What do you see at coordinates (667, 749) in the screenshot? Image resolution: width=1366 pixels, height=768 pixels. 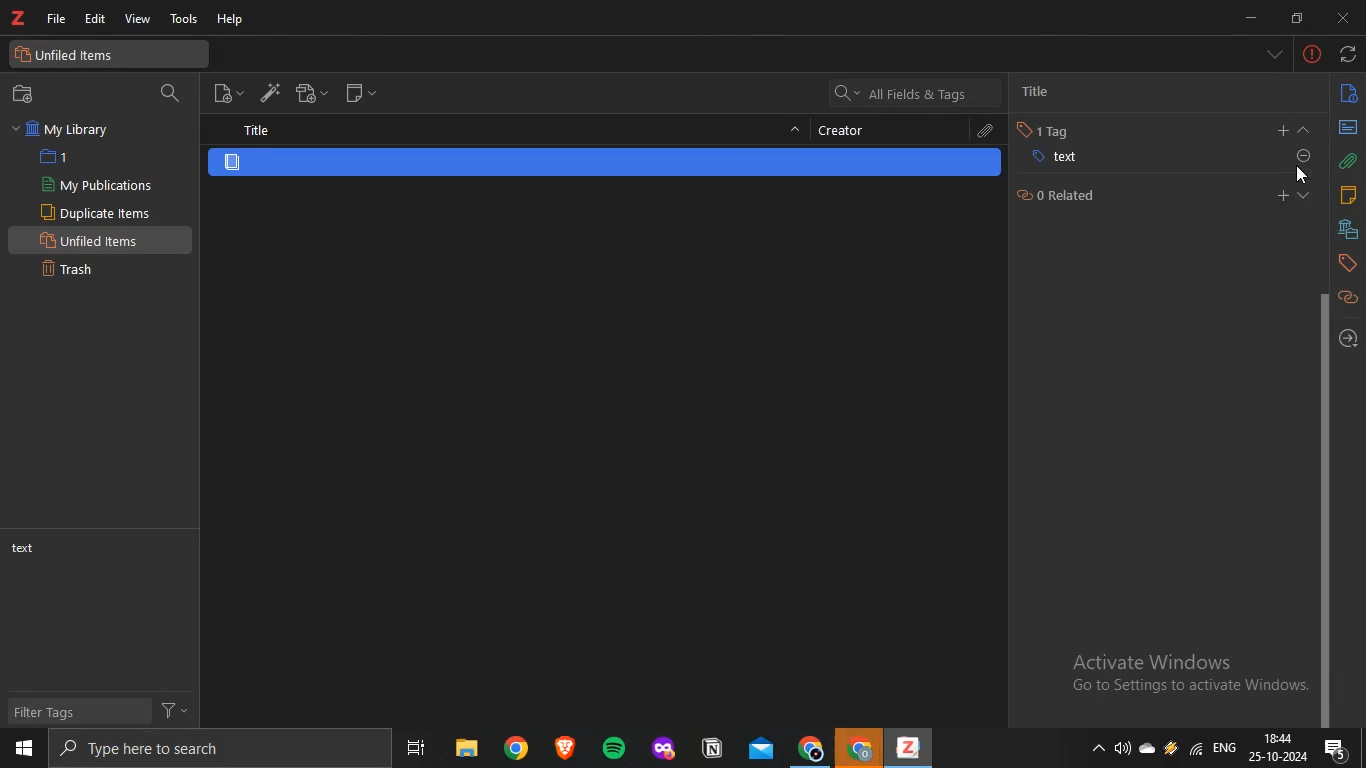 I see `app` at bounding box center [667, 749].